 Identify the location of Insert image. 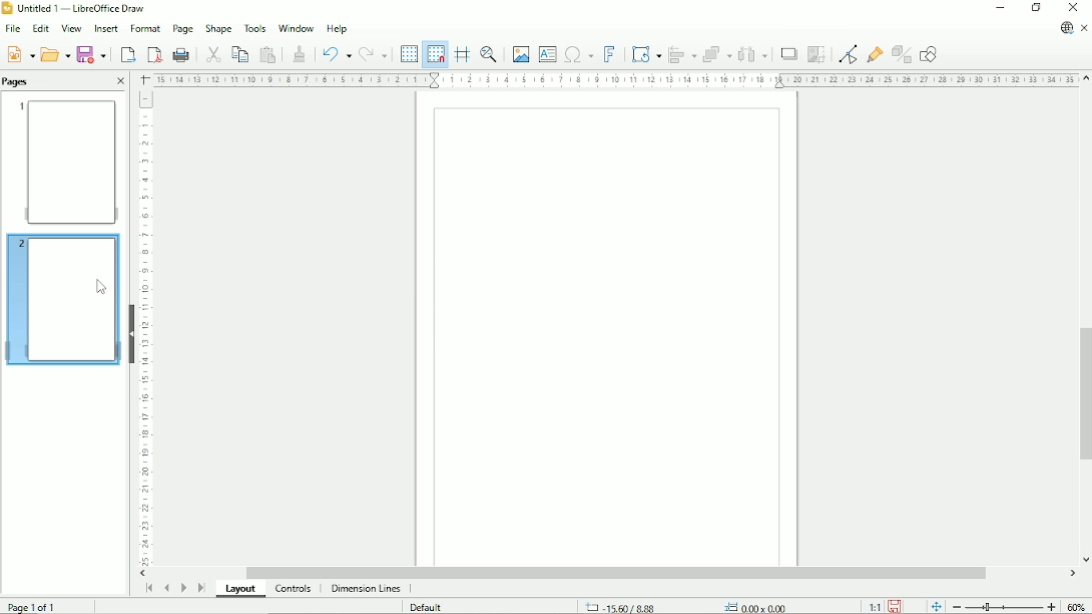
(519, 54).